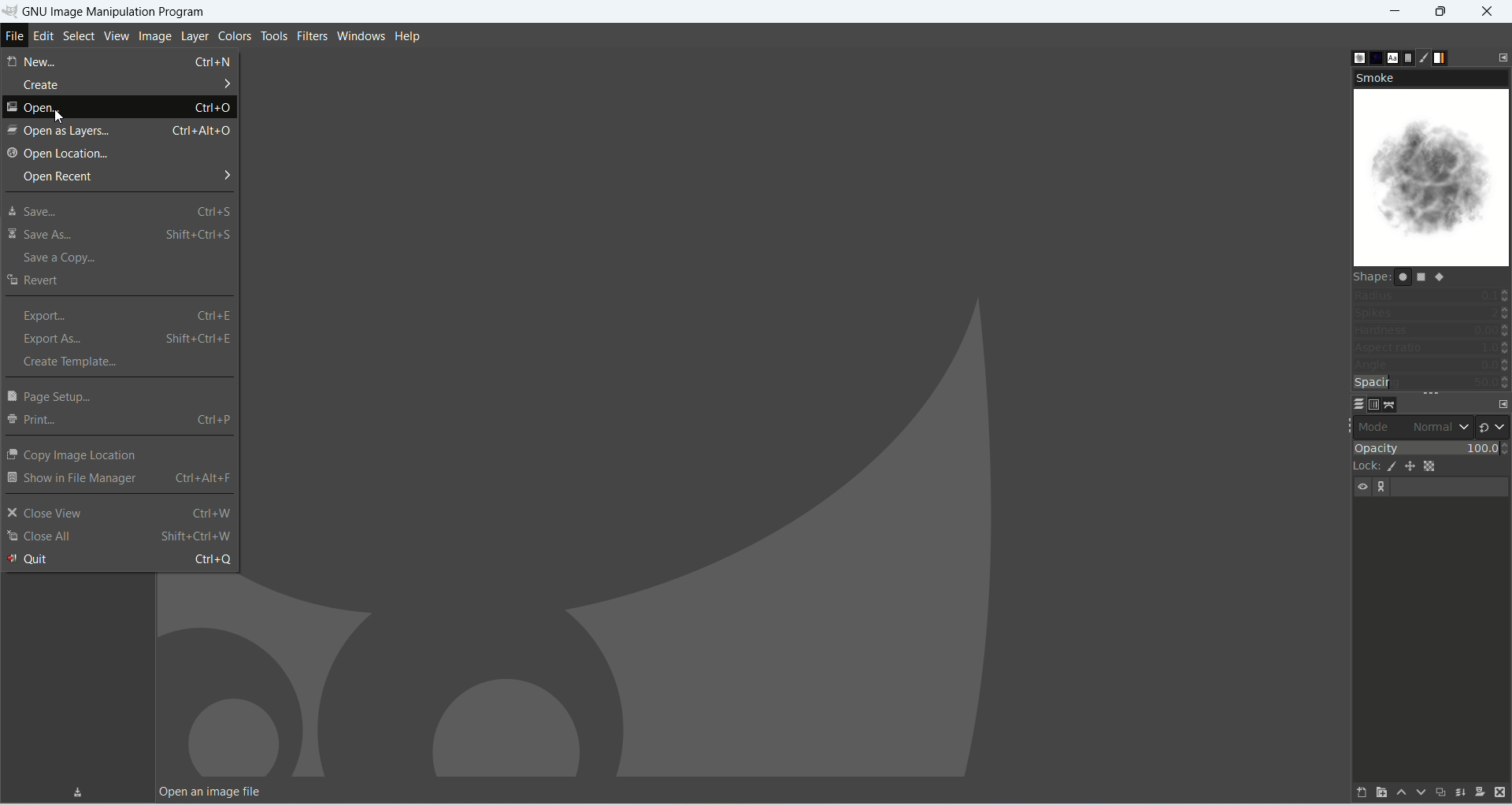 This screenshot has height=805, width=1512. I want to click on lock, so click(1362, 467).